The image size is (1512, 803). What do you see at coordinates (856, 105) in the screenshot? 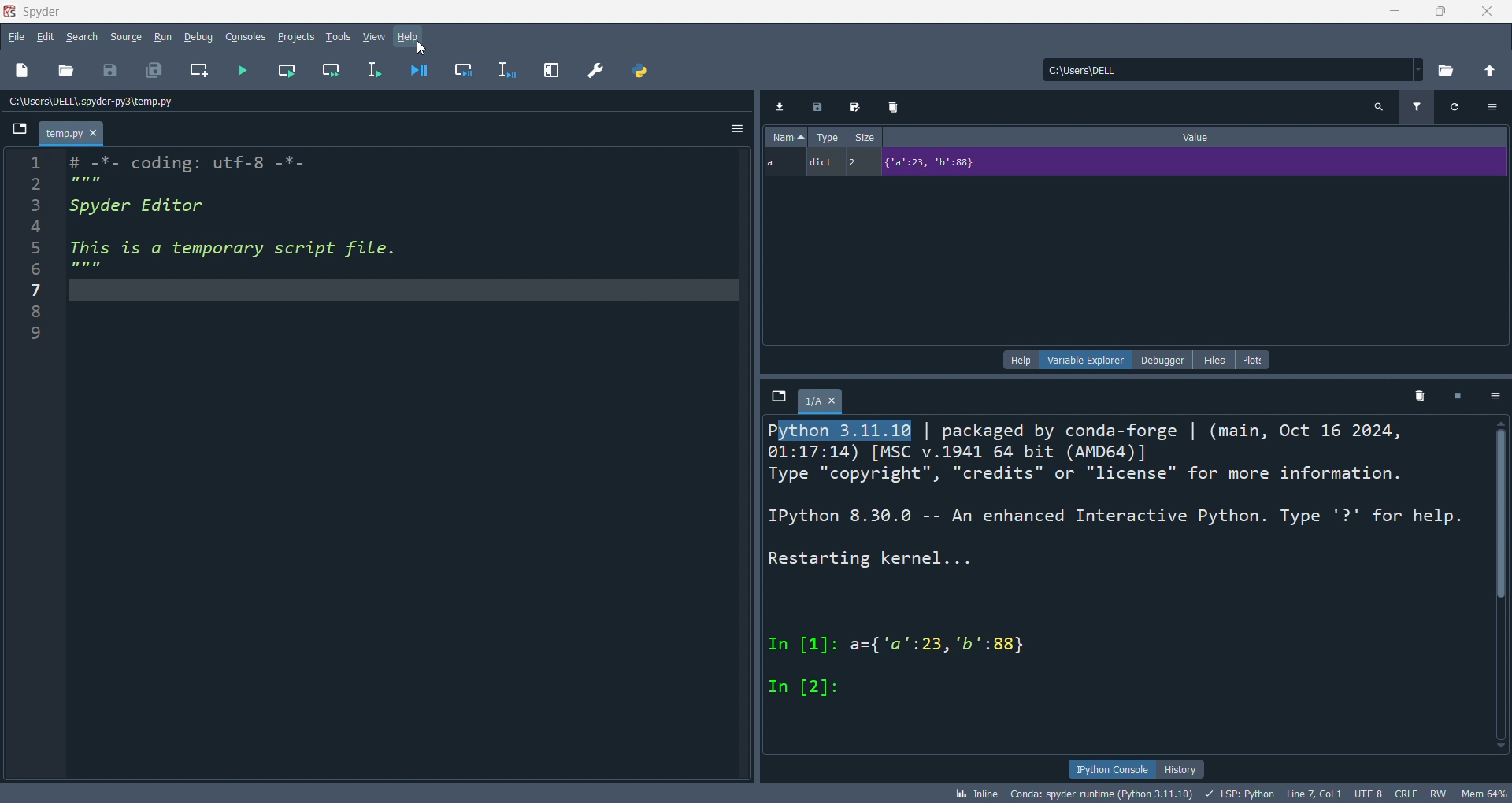
I see `Edit export` at bounding box center [856, 105].